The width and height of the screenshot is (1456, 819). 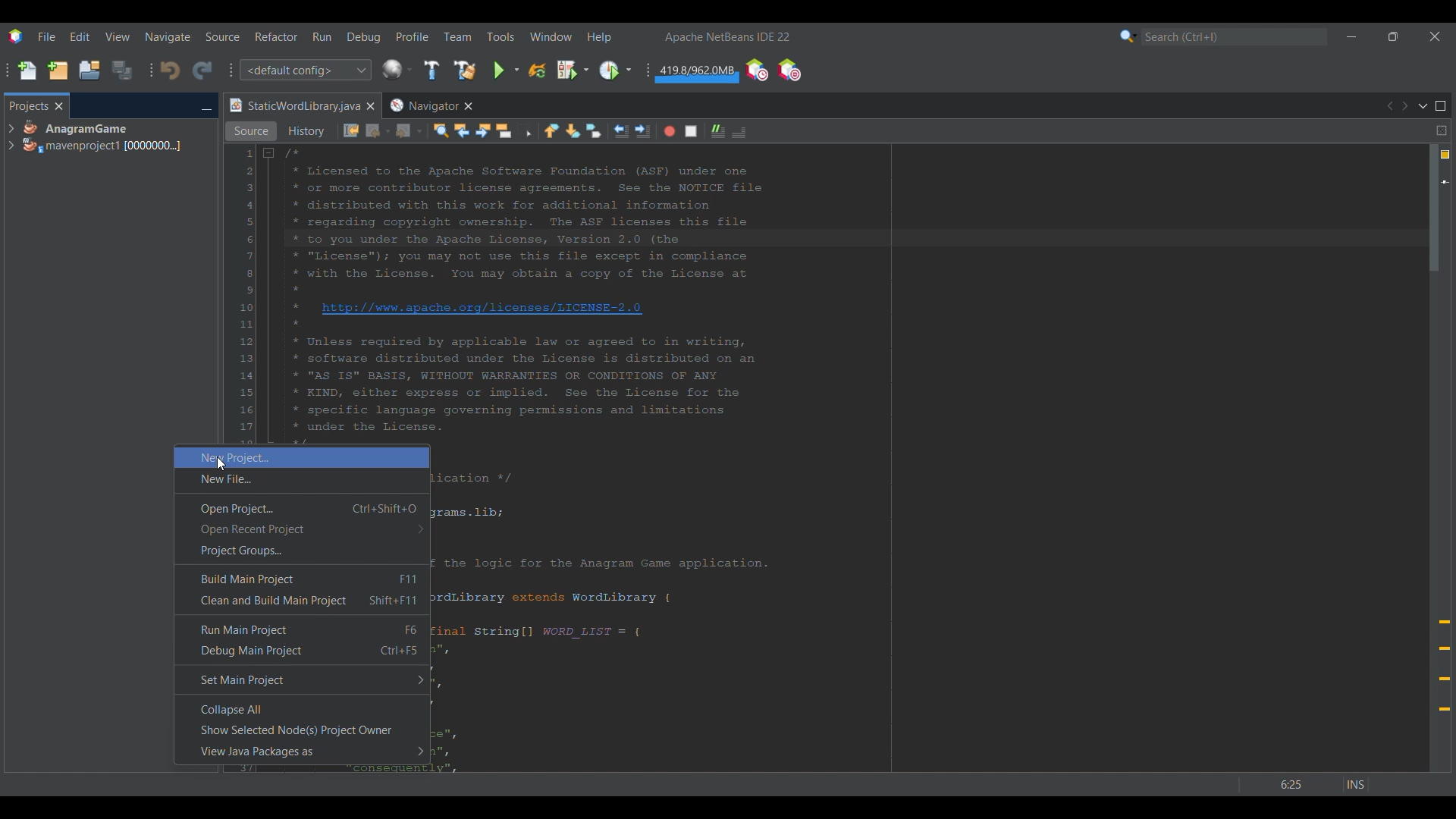 What do you see at coordinates (302, 457) in the screenshot?
I see `New project, highlighted by cursor` at bounding box center [302, 457].